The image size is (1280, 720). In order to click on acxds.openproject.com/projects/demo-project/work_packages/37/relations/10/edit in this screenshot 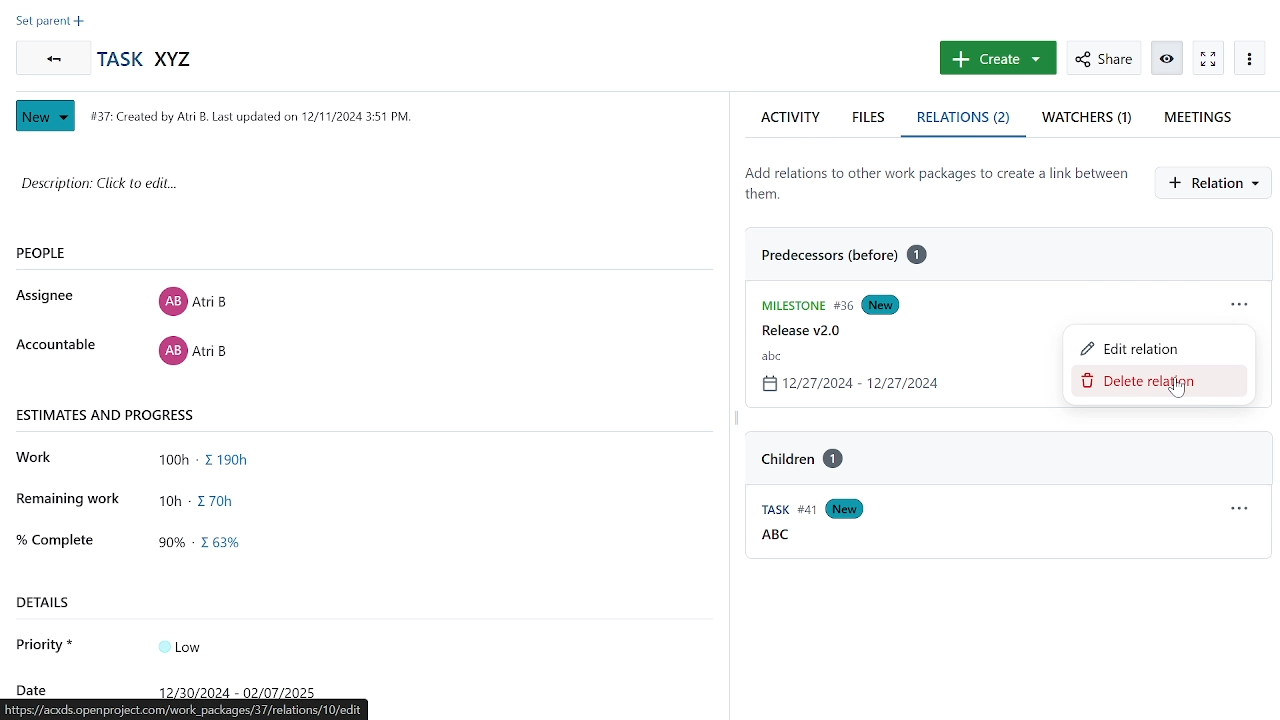, I will do `click(186, 710)`.